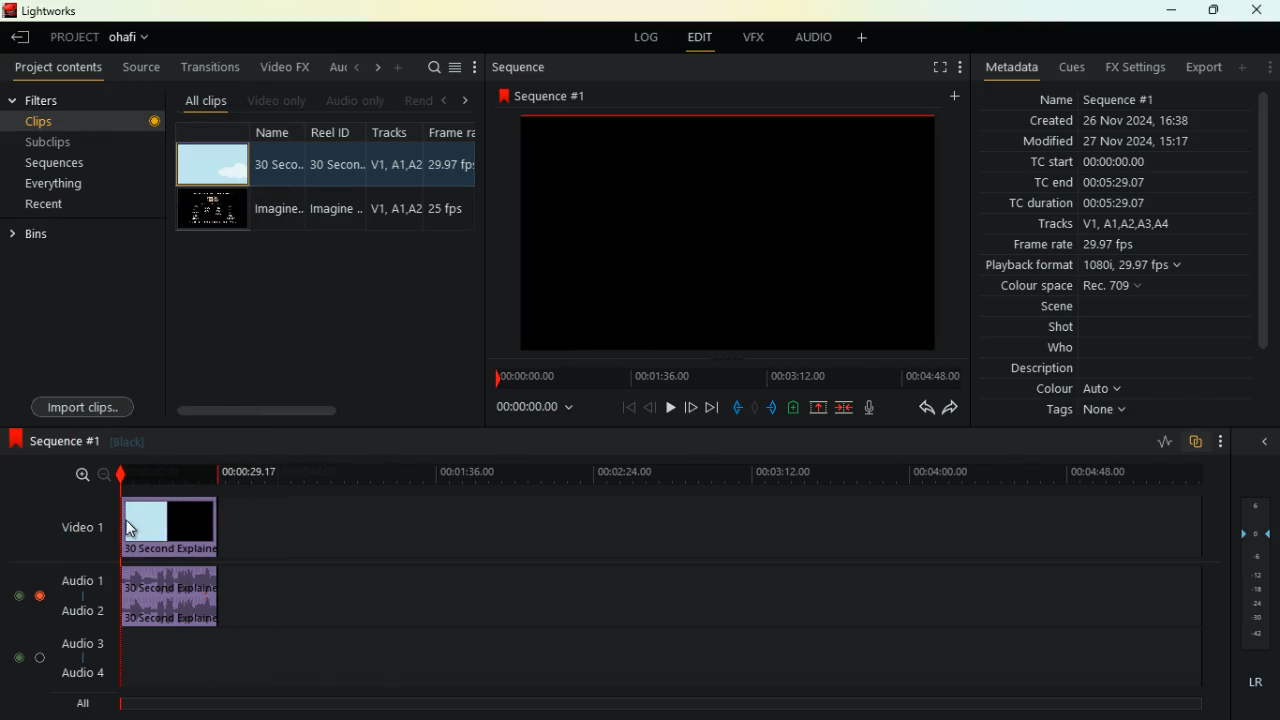 The image size is (1280, 720). Describe the element at coordinates (705, 40) in the screenshot. I see `edit` at that location.